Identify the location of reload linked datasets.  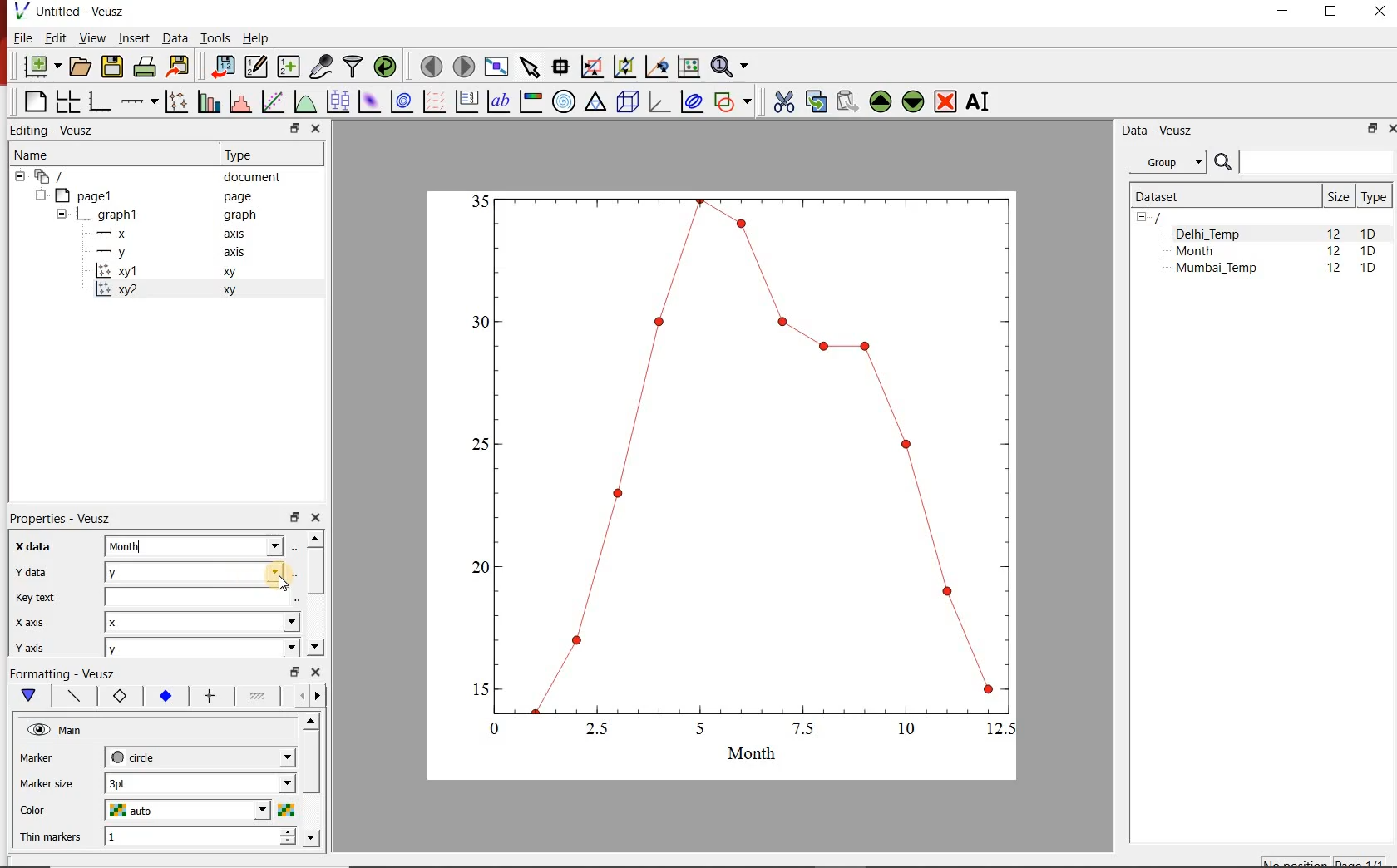
(385, 65).